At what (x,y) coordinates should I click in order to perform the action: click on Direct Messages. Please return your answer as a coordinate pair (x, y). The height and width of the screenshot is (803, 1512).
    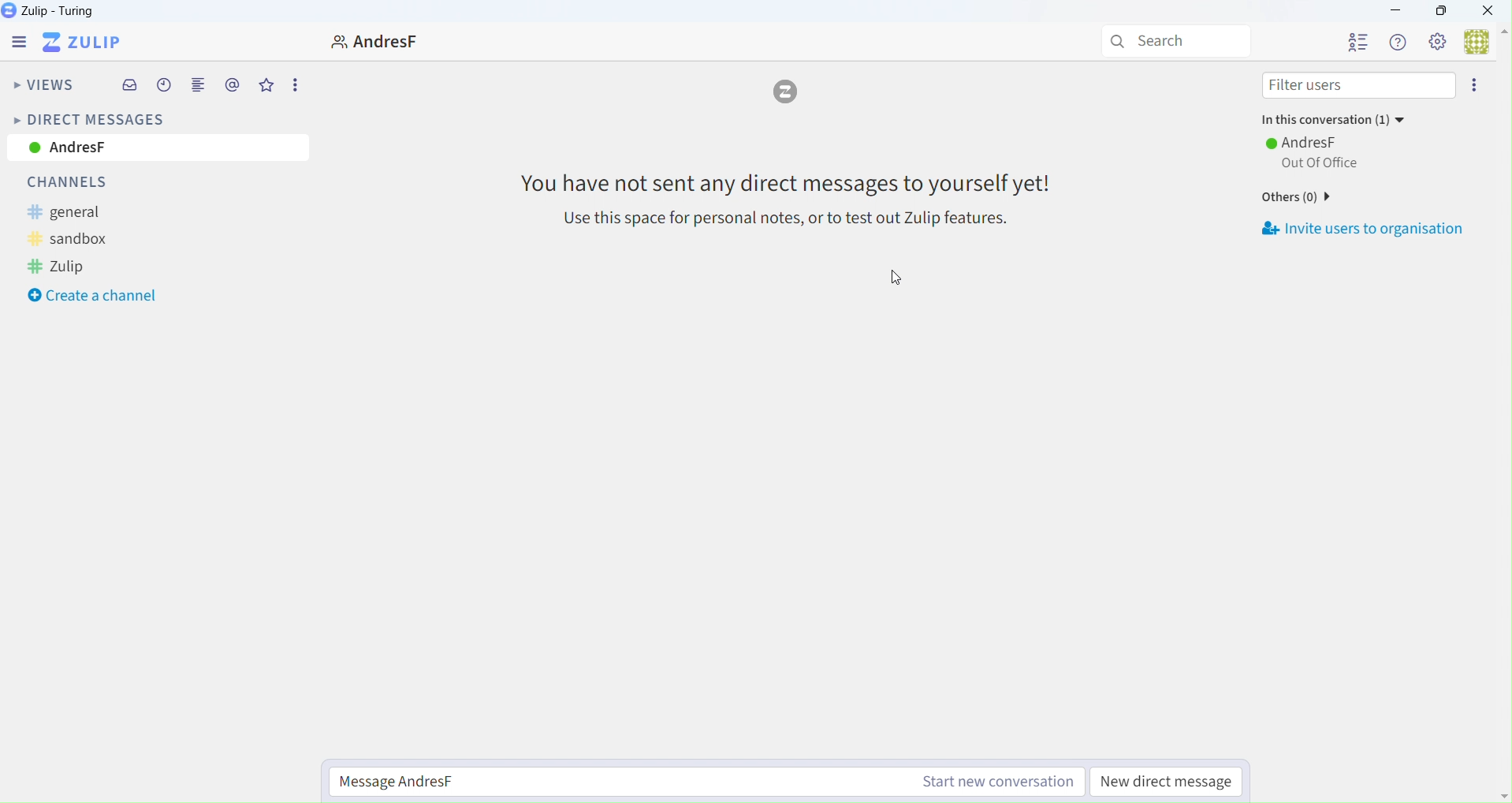
    Looking at the image, I should click on (88, 118).